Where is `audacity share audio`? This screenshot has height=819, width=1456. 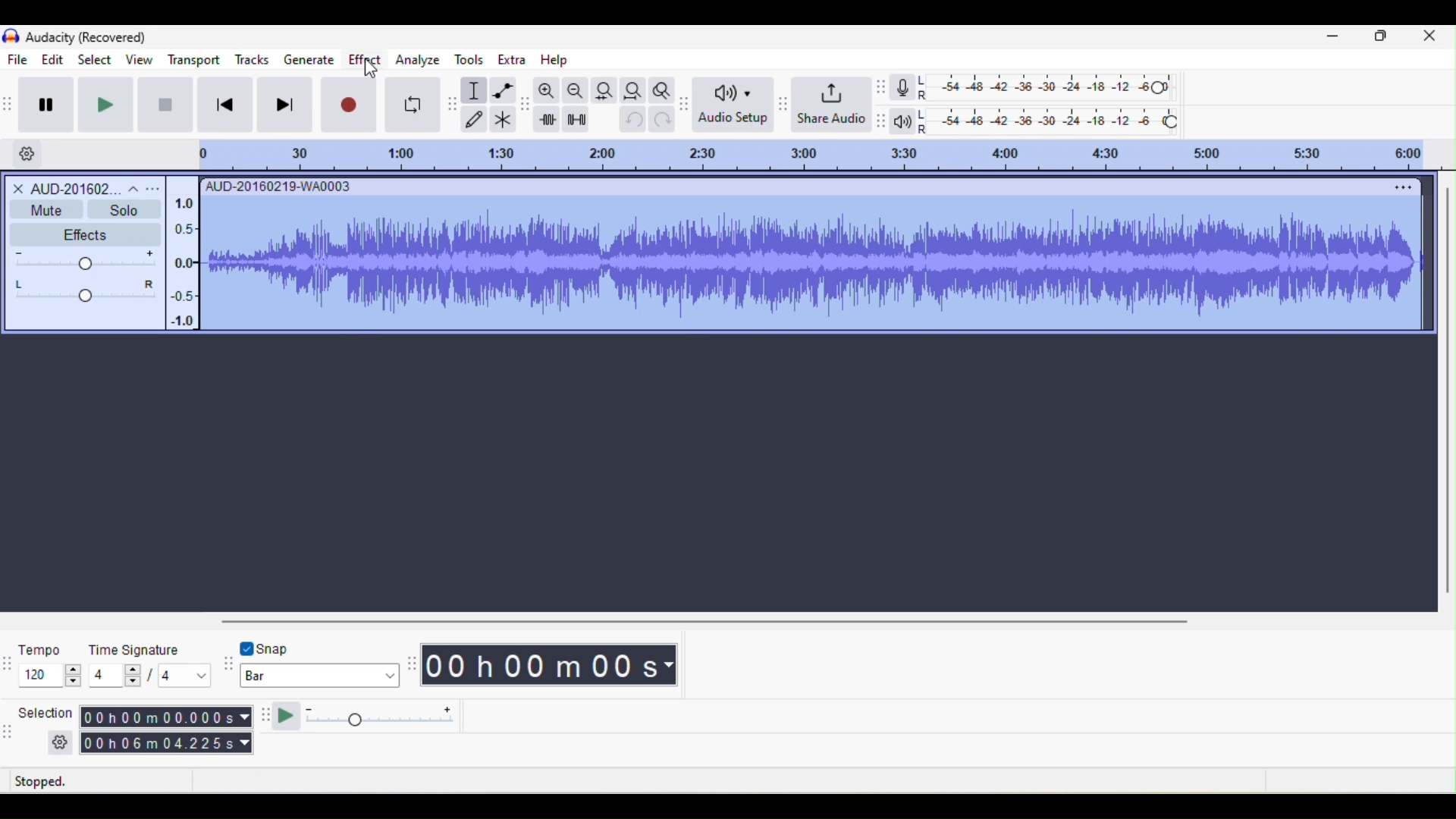
audacity share audio is located at coordinates (781, 104).